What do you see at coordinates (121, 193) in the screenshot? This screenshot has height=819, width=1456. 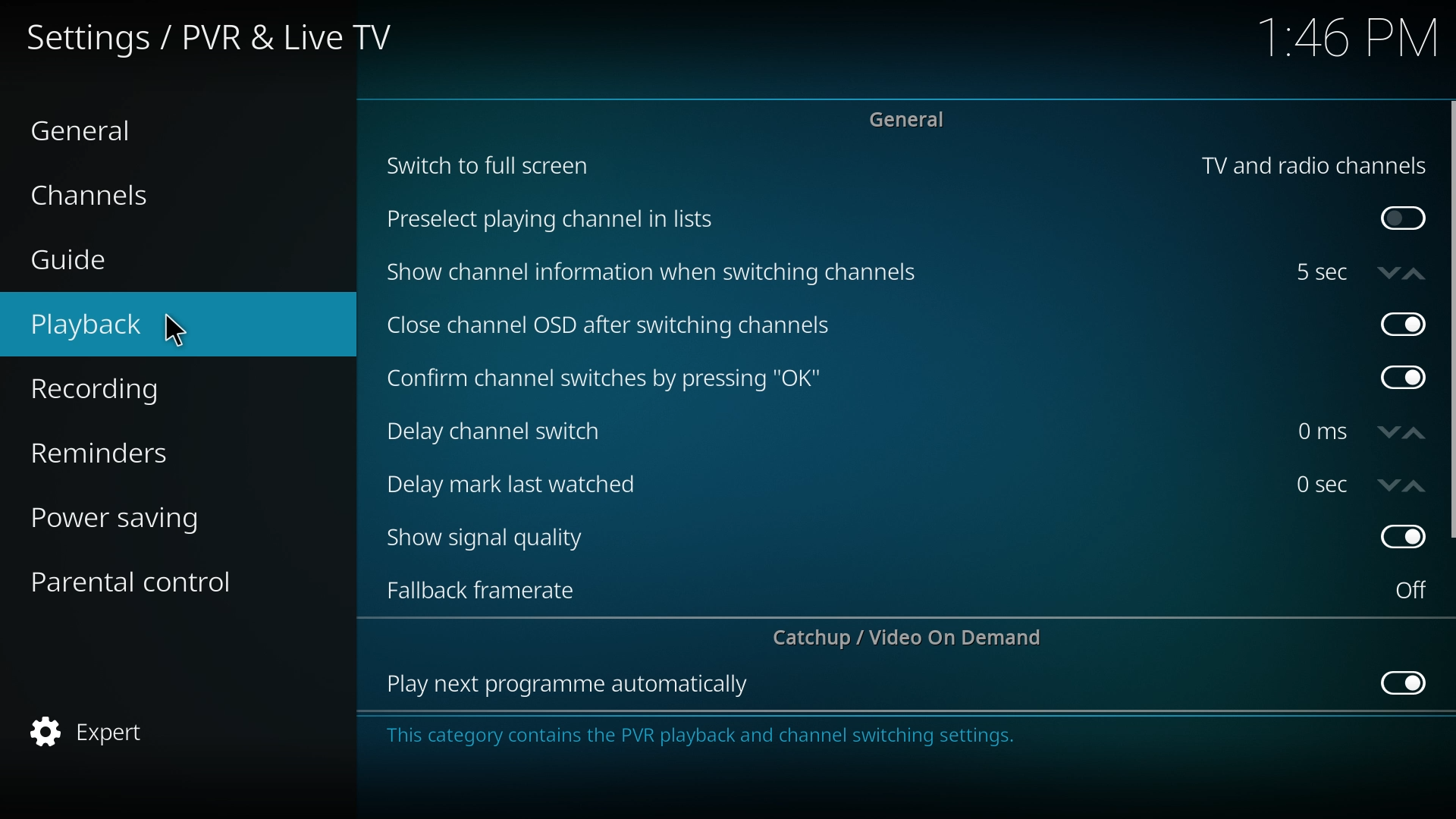 I see `channels` at bounding box center [121, 193].